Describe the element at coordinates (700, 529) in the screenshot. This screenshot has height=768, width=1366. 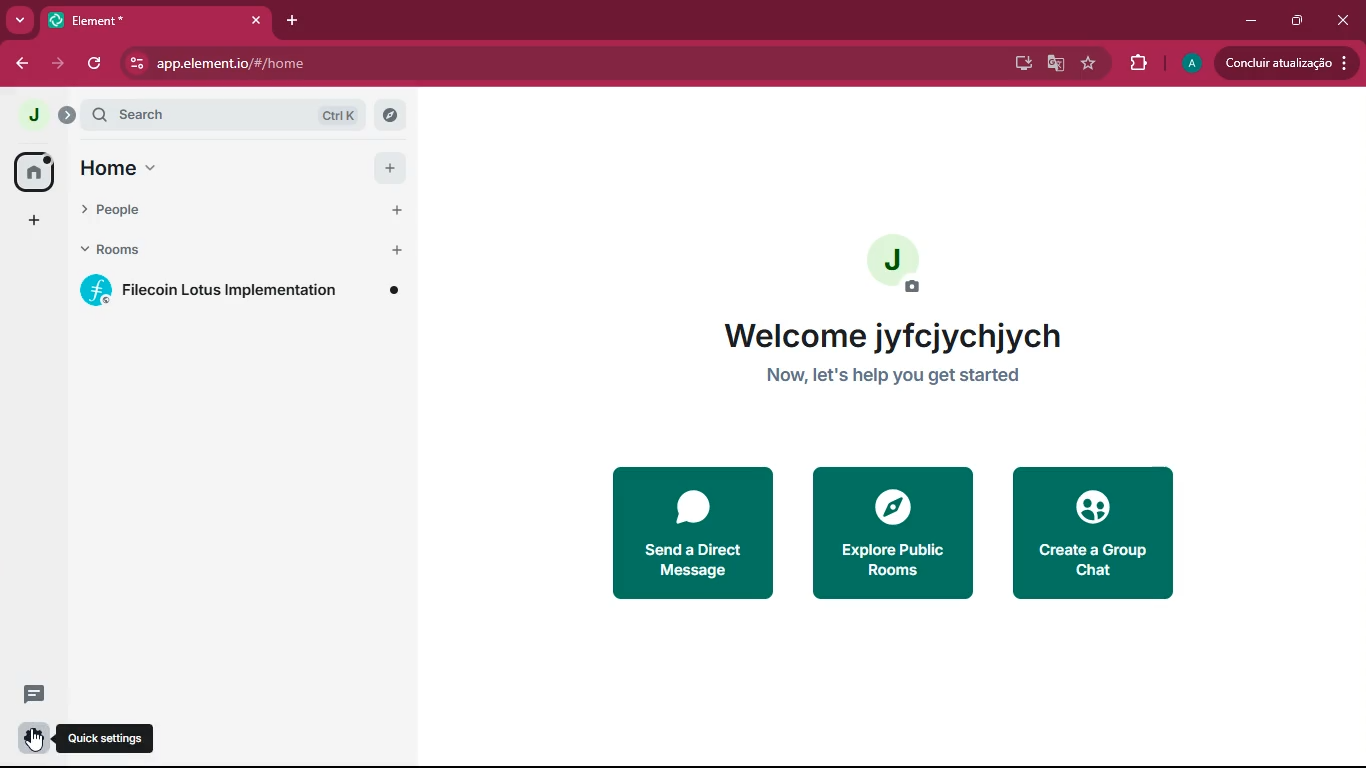
I see `send a direct message` at that location.